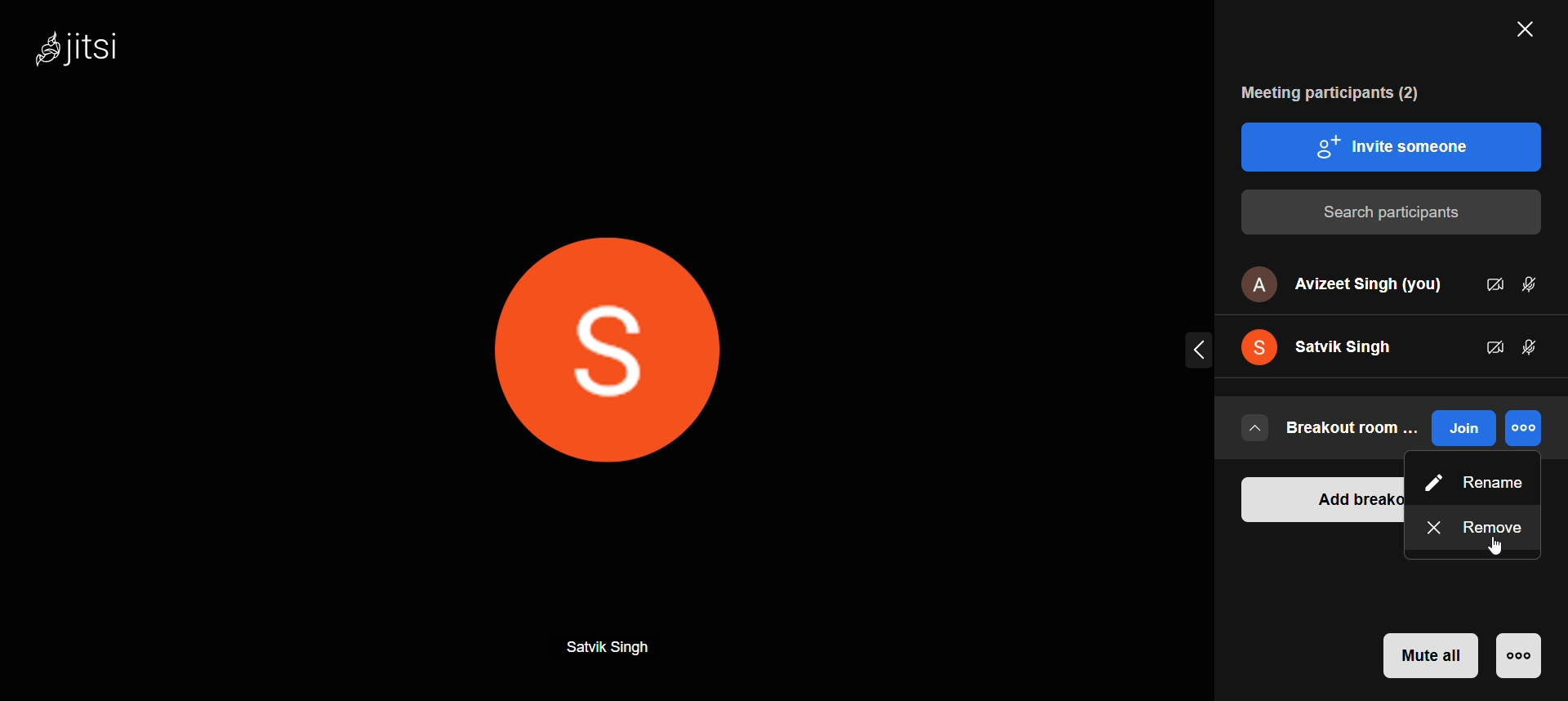  Describe the element at coordinates (1474, 527) in the screenshot. I see `remove` at that location.